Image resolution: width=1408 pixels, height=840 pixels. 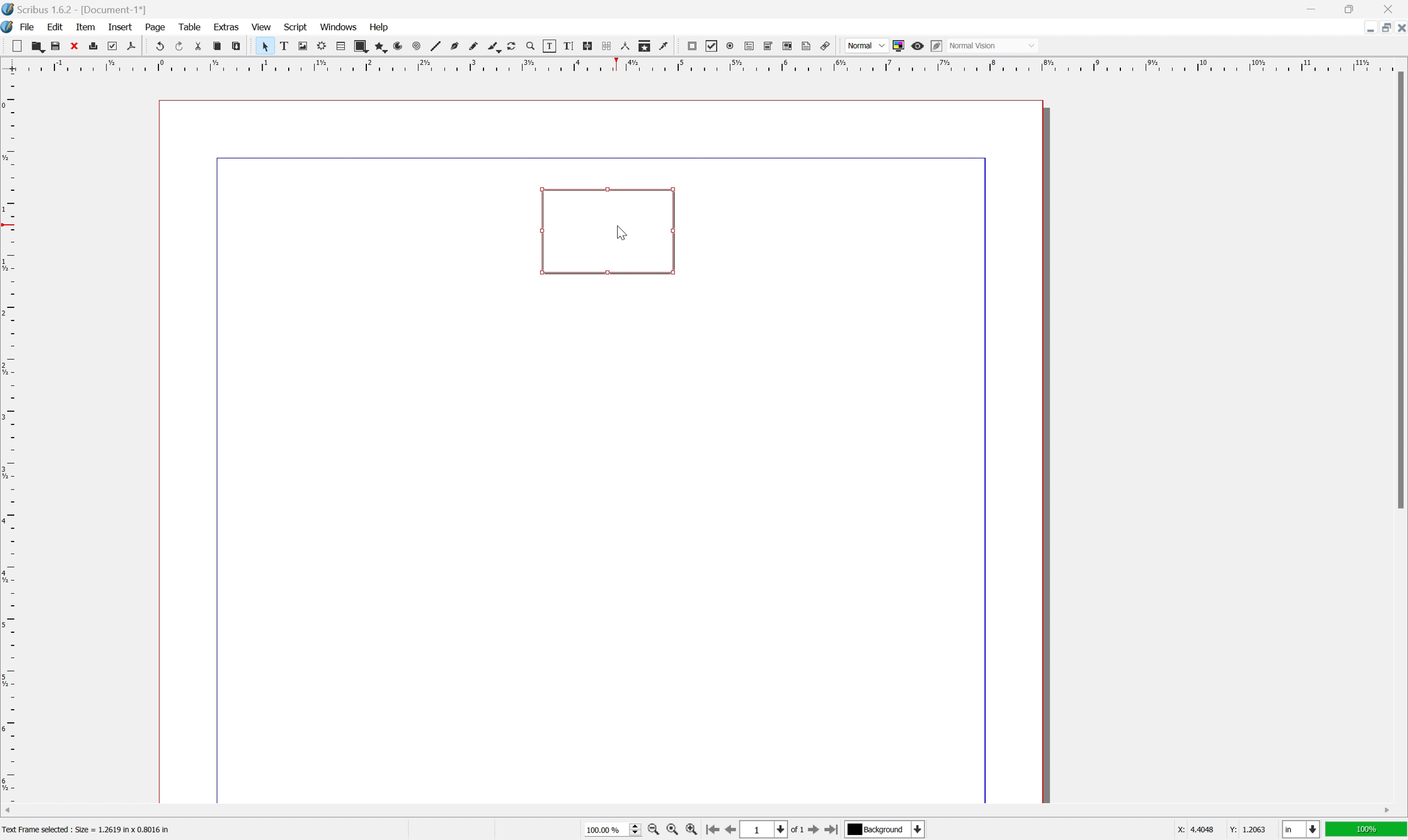 What do you see at coordinates (917, 46) in the screenshot?
I see `preview mode` at bounding box center [917, 46].